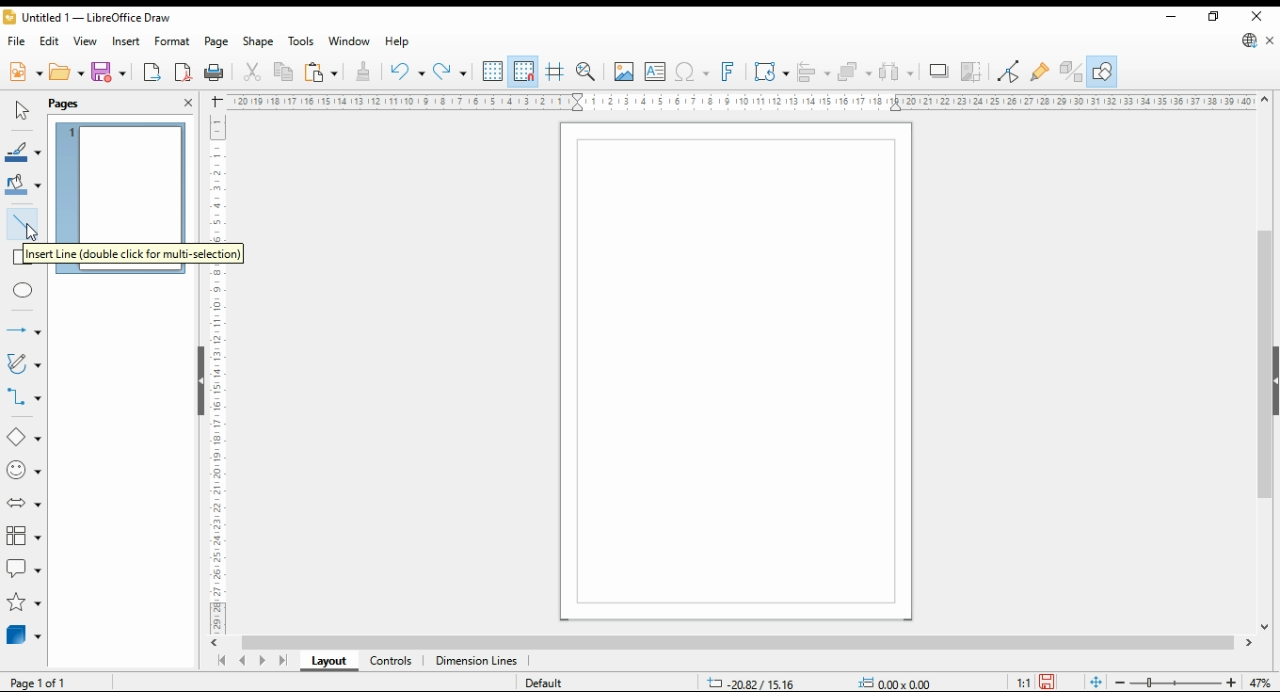  I want to click on open , so click(67, 72).